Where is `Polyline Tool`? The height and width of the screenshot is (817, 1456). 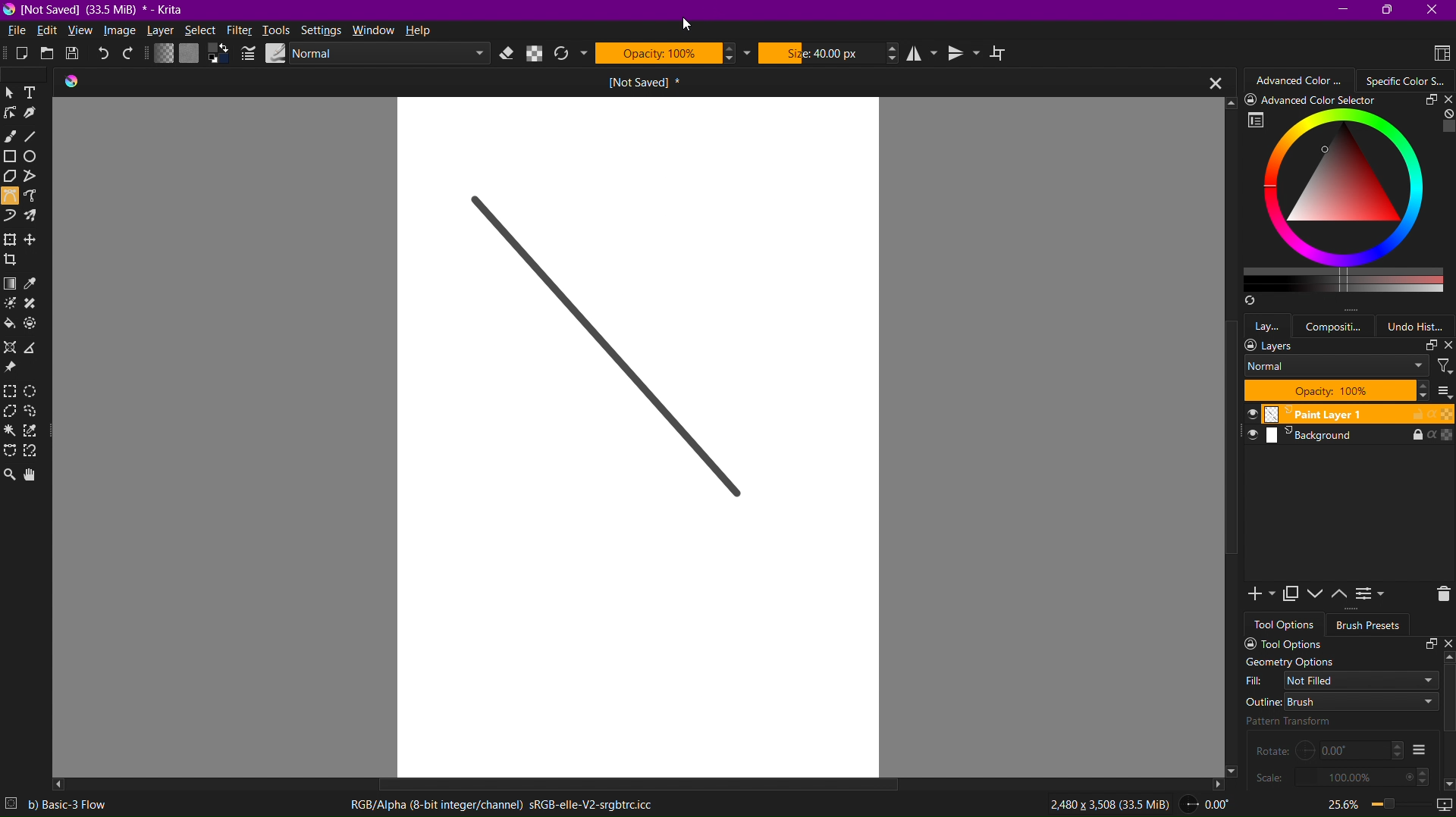 Polyline Tool is located at coordinates (37, 178).